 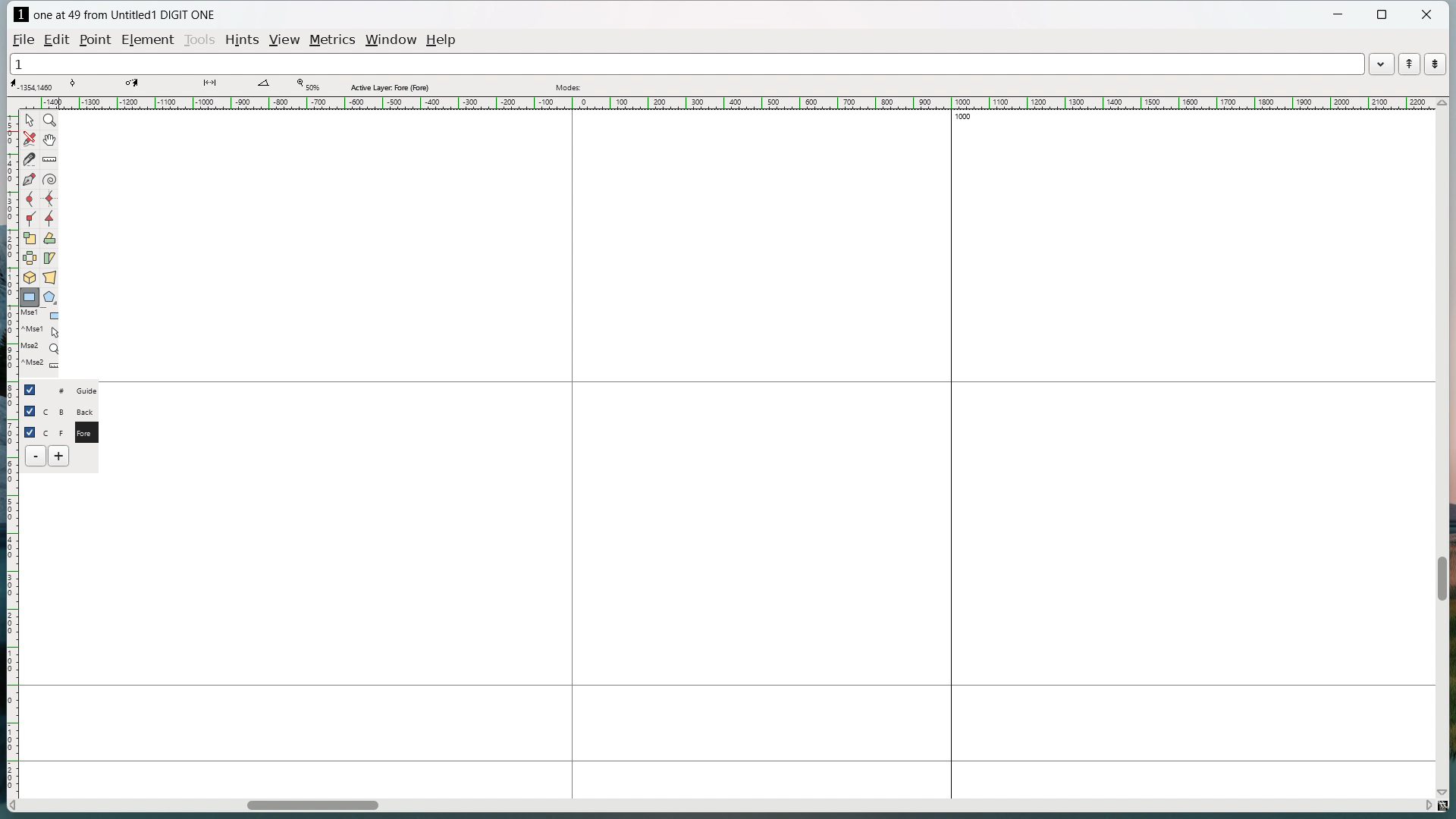 What do you see at coordinates (570, 87) in the screenshot?
I see `modes` at bounding box center [570, 87].